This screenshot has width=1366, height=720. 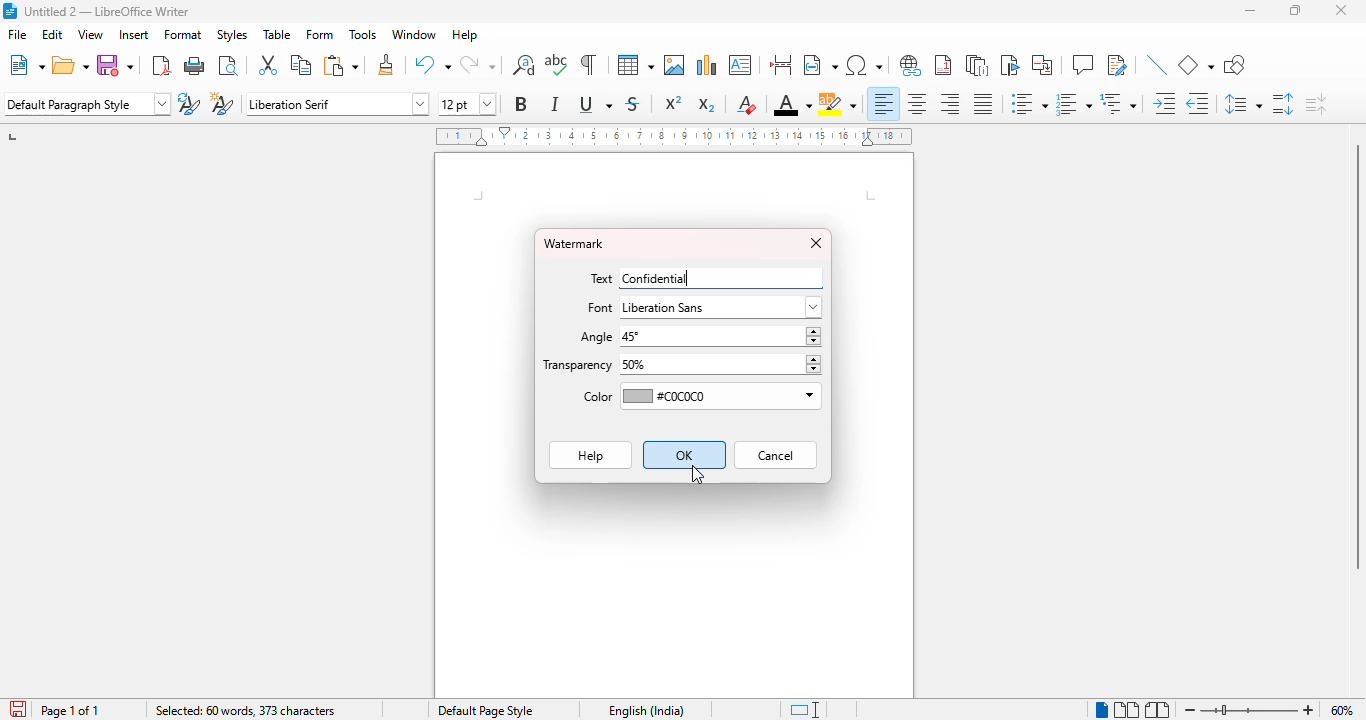 I want to click on typing cursor, so click(x=693, y=276).